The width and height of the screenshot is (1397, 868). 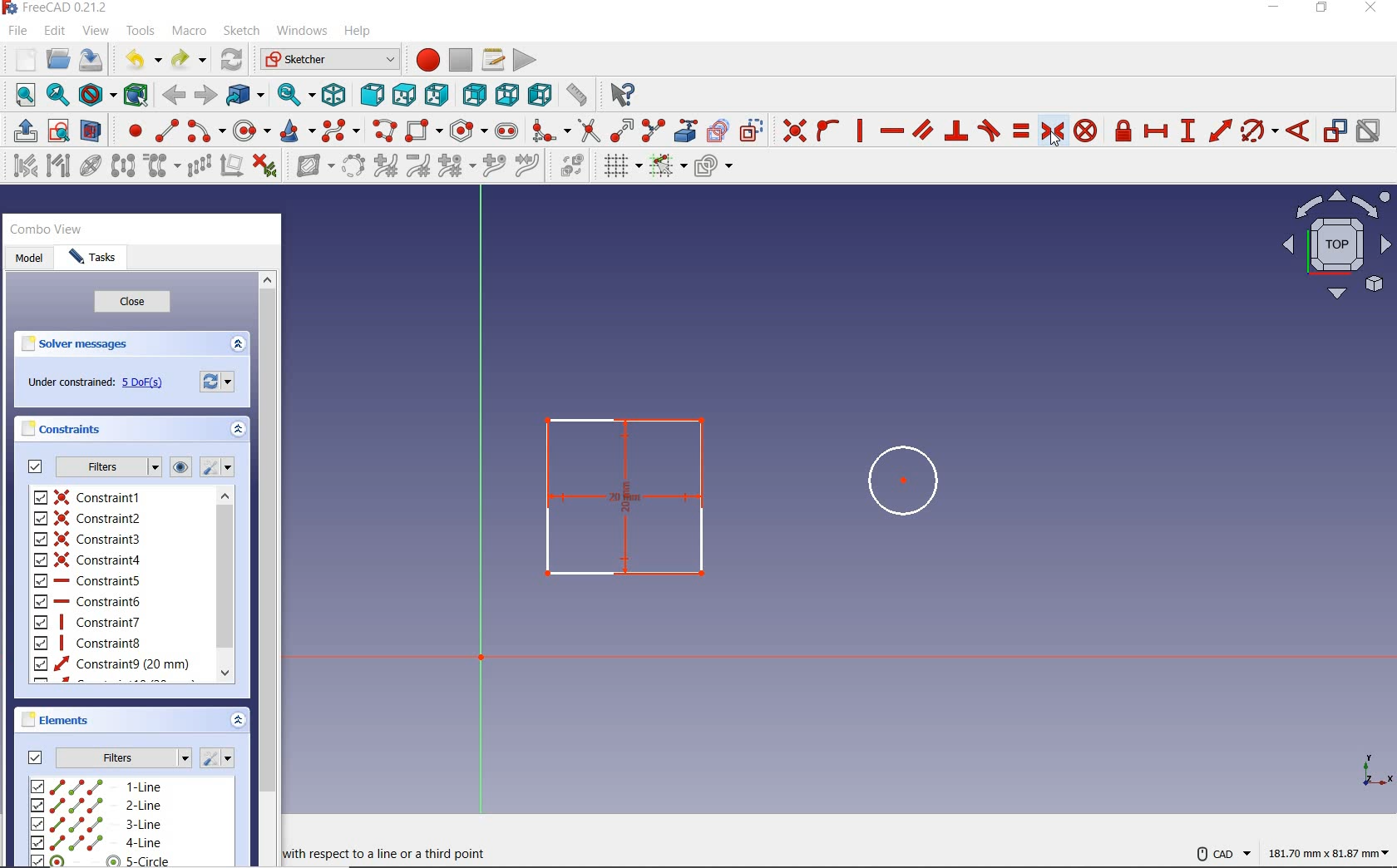 What do you see at coordinates (923, 129) in the screenshot?
I see `constrain parallel` at bounding box center [923, 129].